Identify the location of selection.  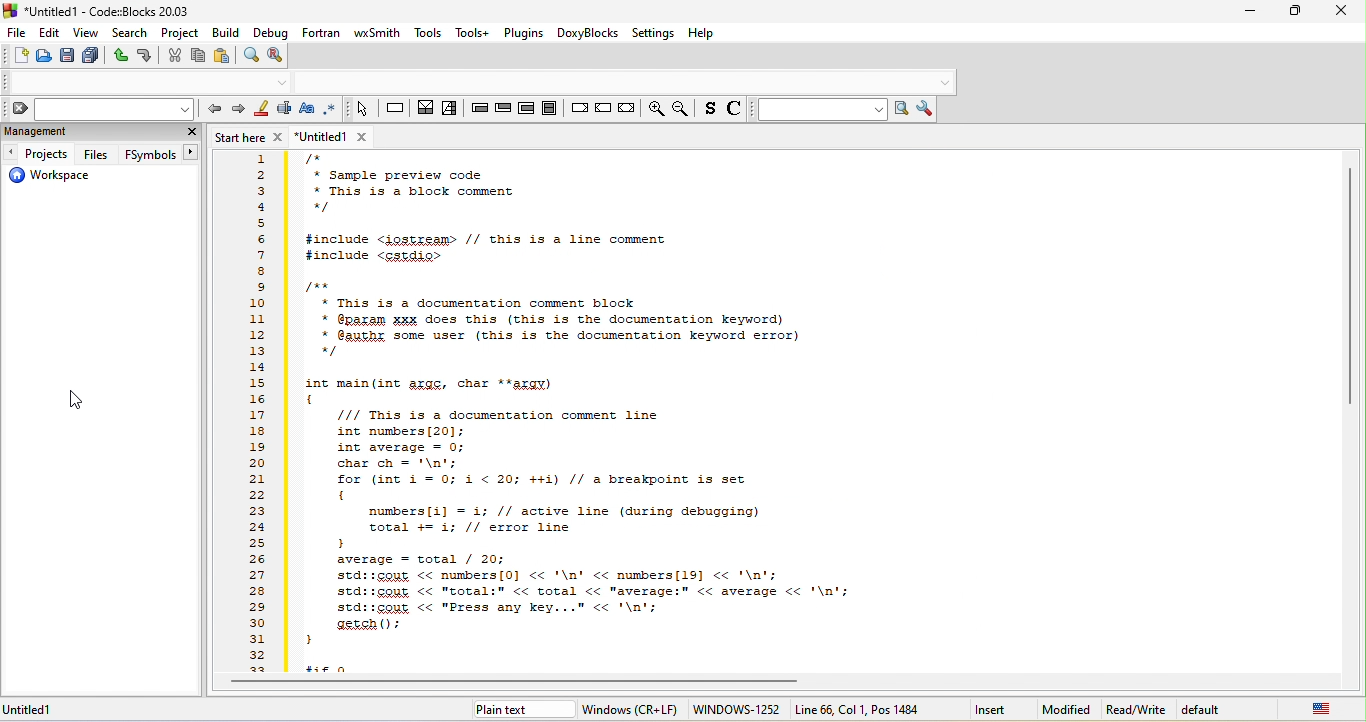
(452, 111).